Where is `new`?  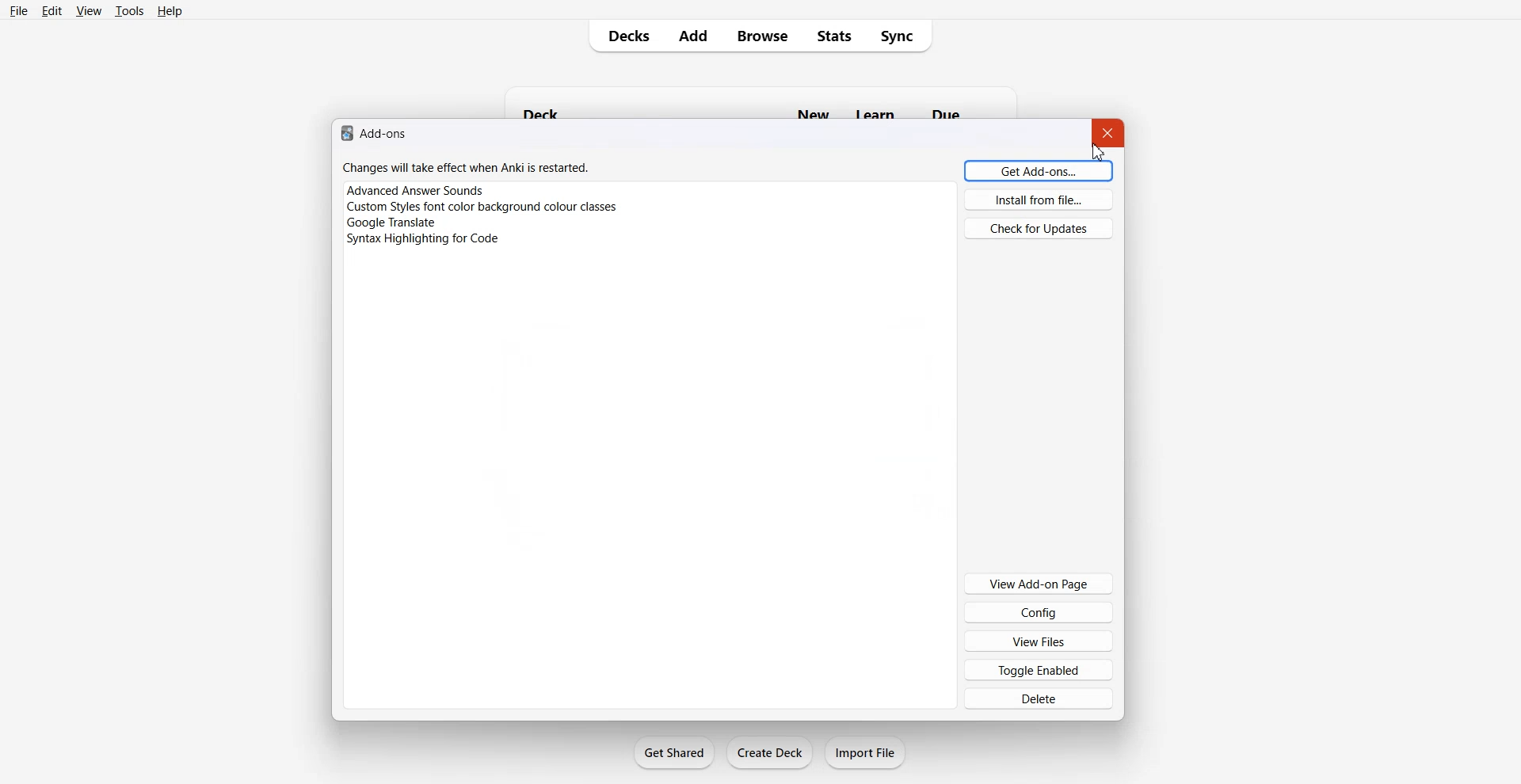
new is located at coordinates (811, 113).